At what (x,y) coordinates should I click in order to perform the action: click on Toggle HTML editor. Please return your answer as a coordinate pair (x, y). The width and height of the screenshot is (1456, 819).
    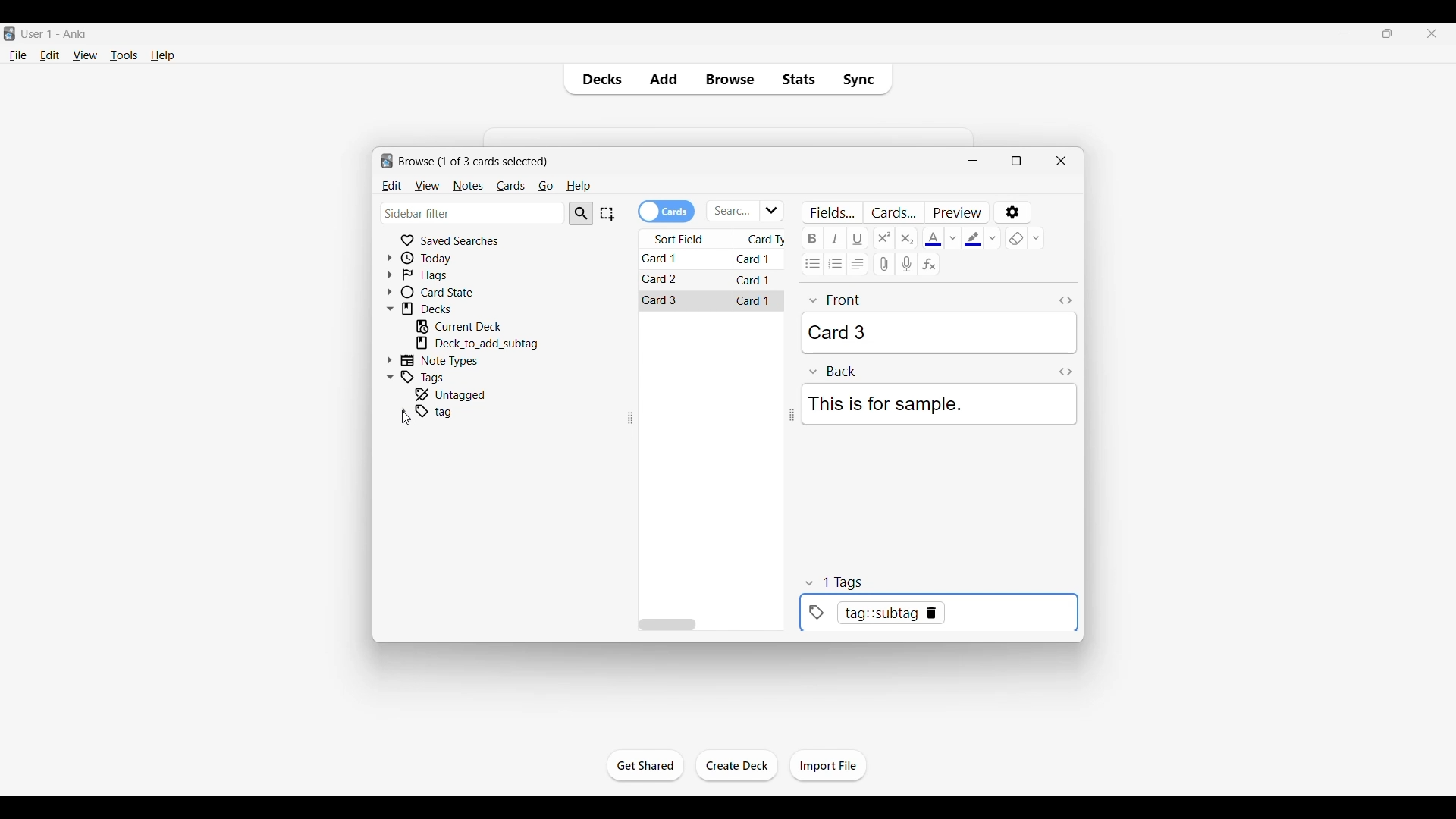
    Looking at the image, I should click on (1065, 301).